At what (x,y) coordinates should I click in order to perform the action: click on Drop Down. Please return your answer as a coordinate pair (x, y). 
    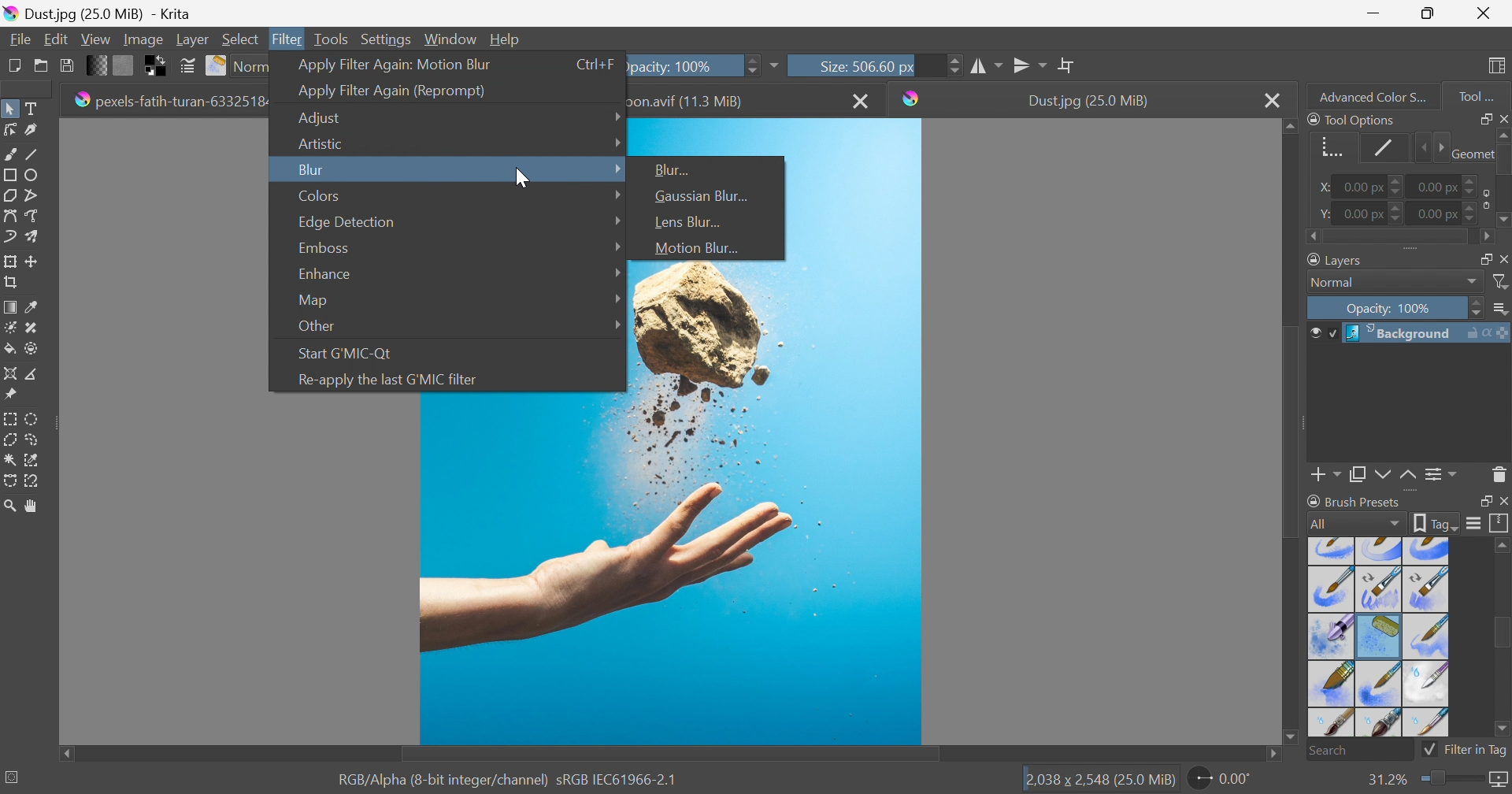
    Looking at the image, I should click on (617, 323).